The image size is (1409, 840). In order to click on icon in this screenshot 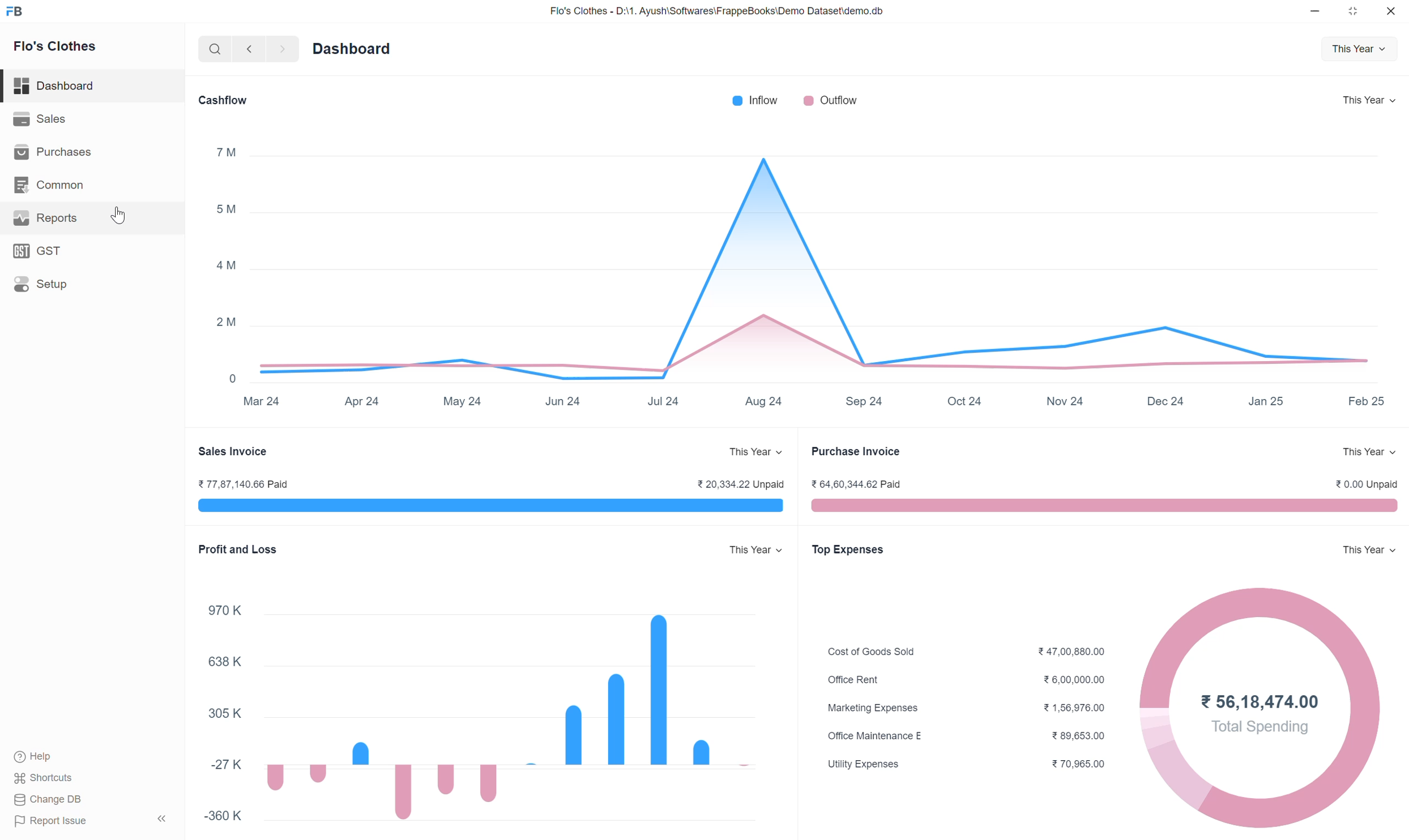, I will do `click(15, 13)`.